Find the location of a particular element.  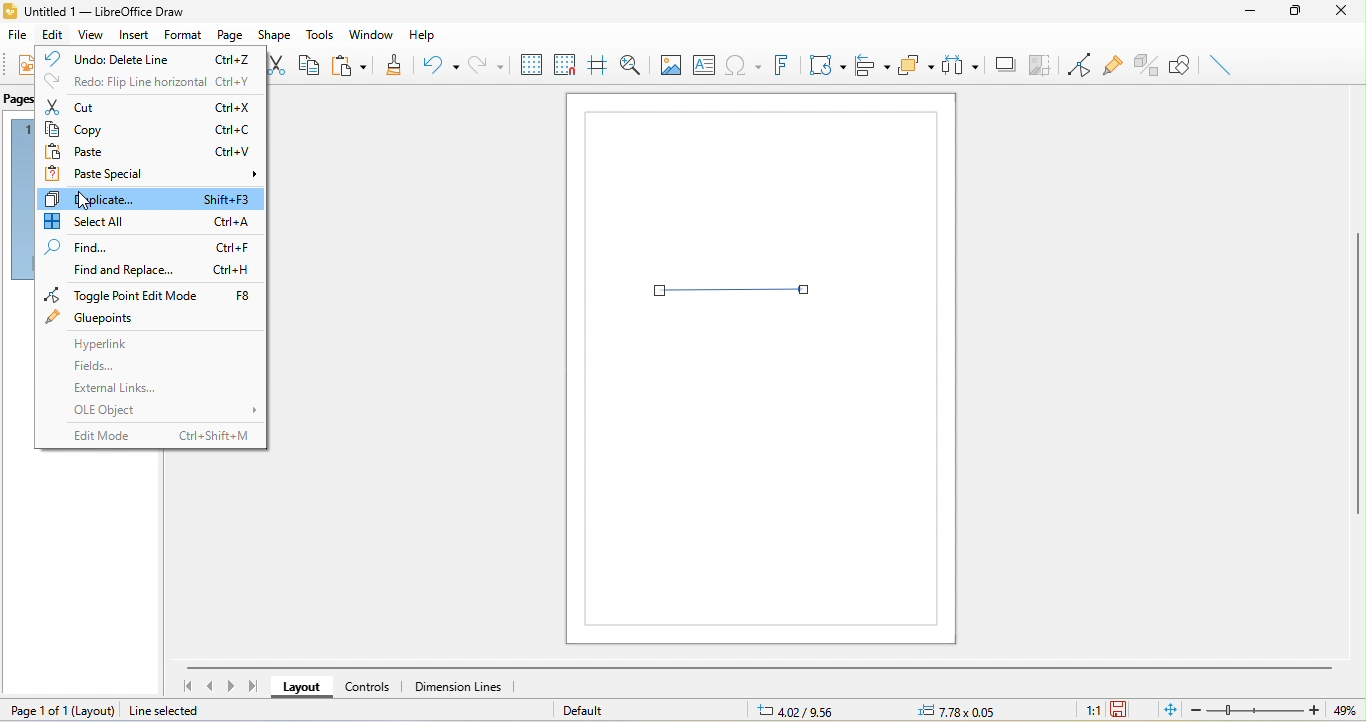

title is located at coordinates (94, 12).